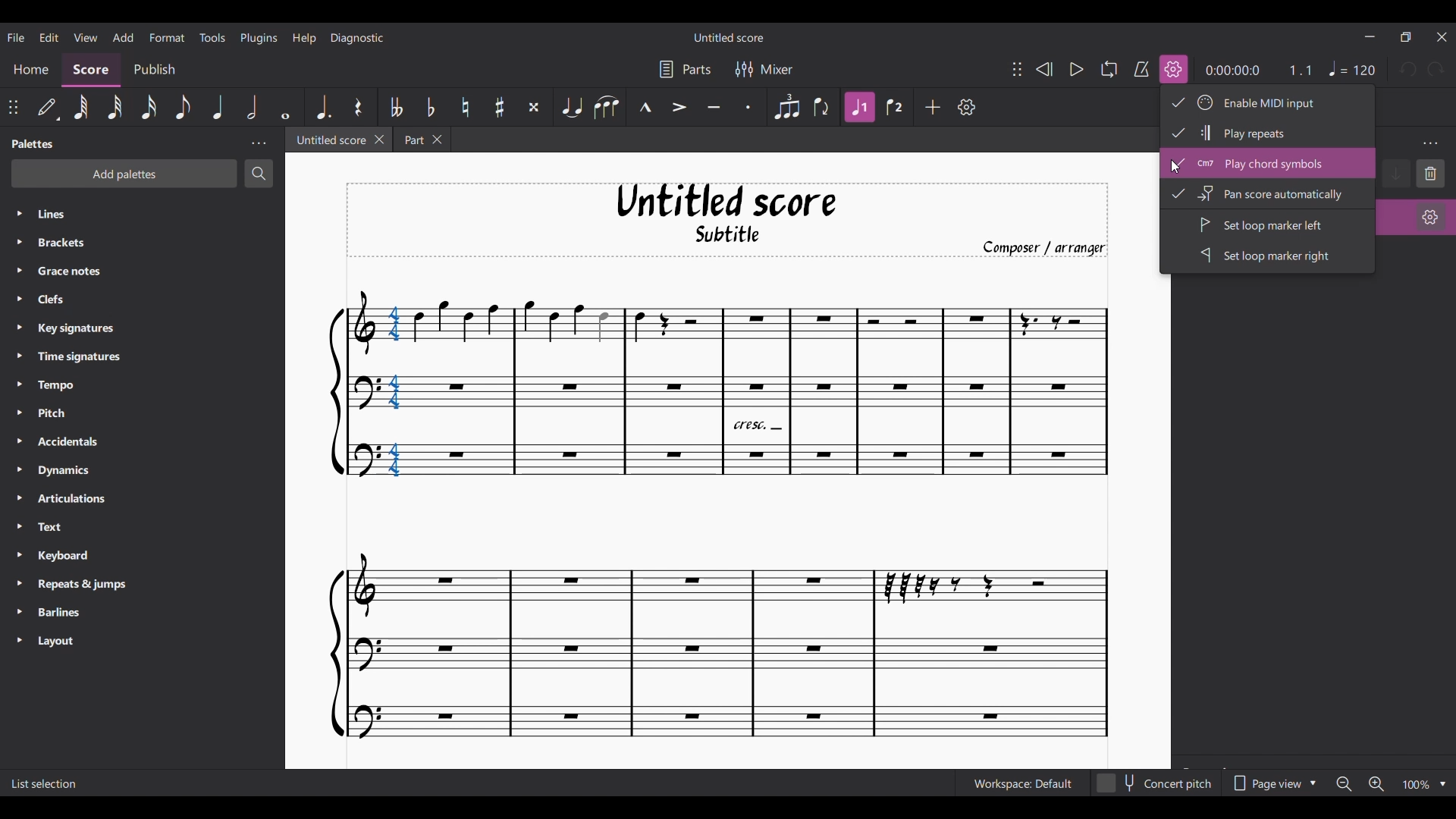 The height and width of the screenshot is (819, 1456). Describe the element at coordinates (535, 107) in the screenshot. I see `Toggle double sharp` at that location.